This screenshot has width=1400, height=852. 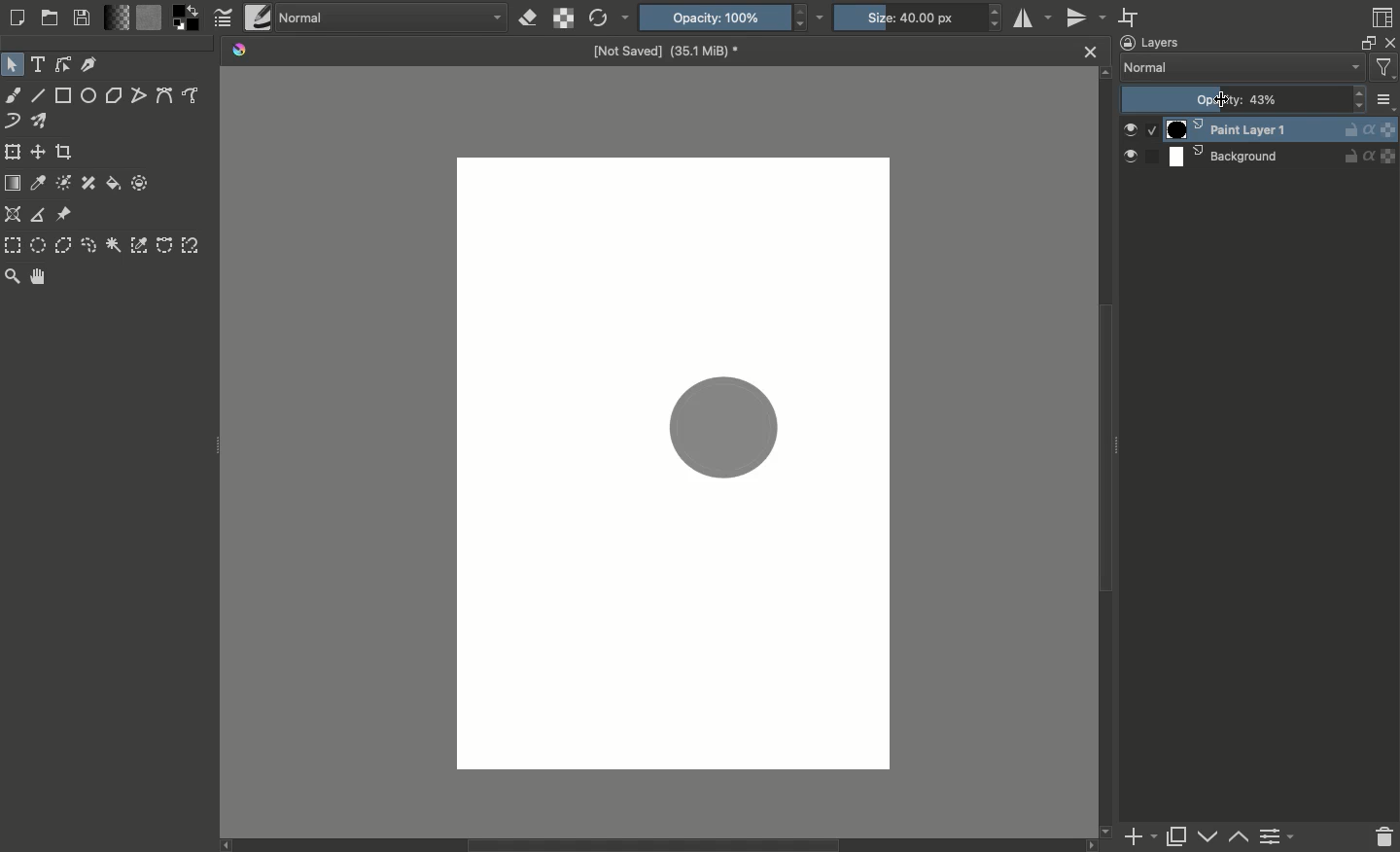 What do you see at coordinates (1103, 72) in the screenshot?
I see `scroll up` at bounding box center [1103, 72].